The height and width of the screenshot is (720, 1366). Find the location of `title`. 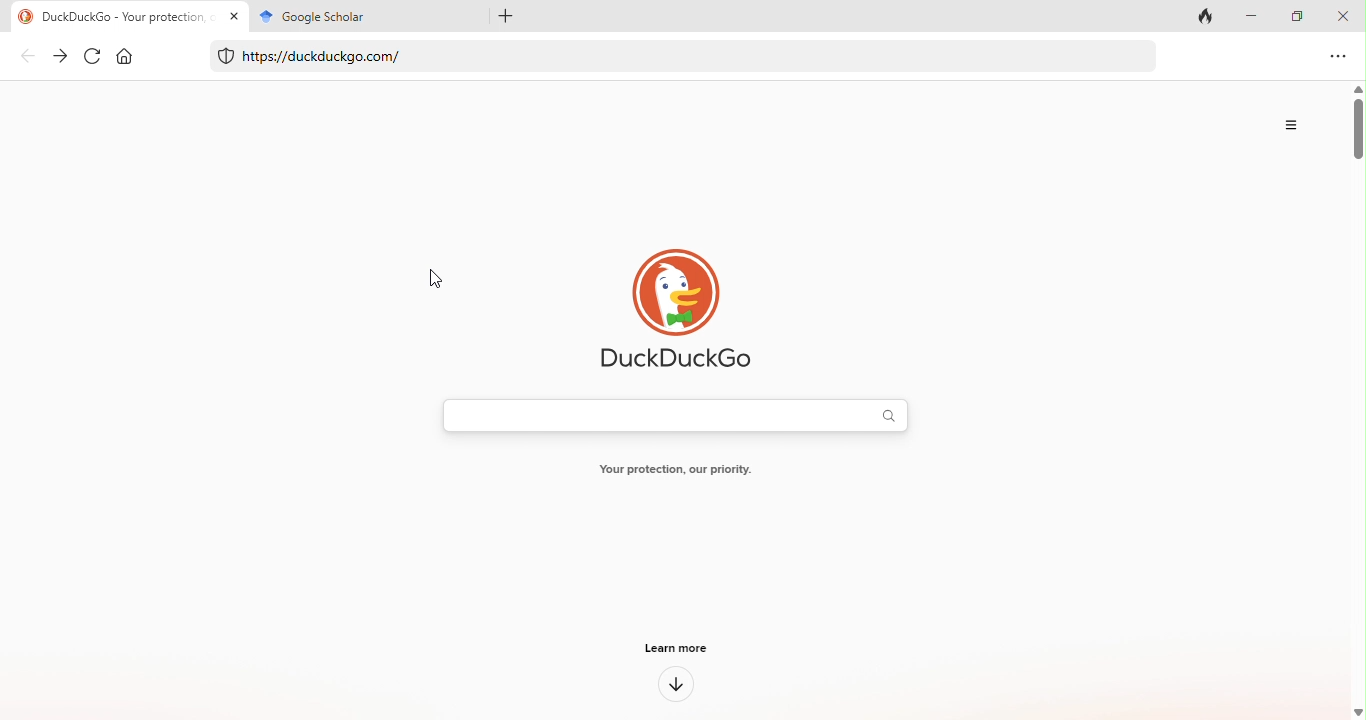

title is located at coordinates (363, 15).